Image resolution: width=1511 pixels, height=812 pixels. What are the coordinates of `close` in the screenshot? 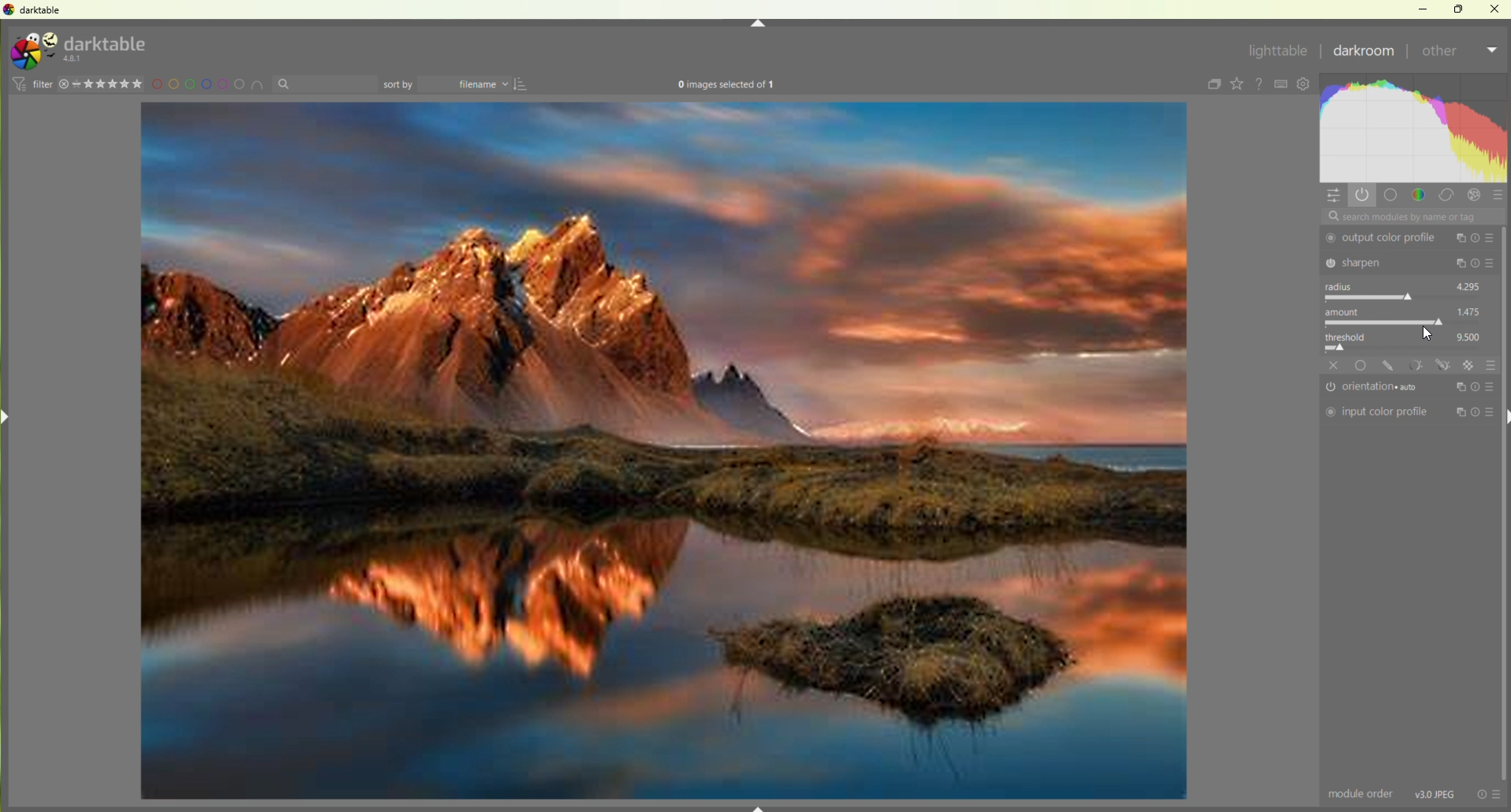 It's located at (64, 84).